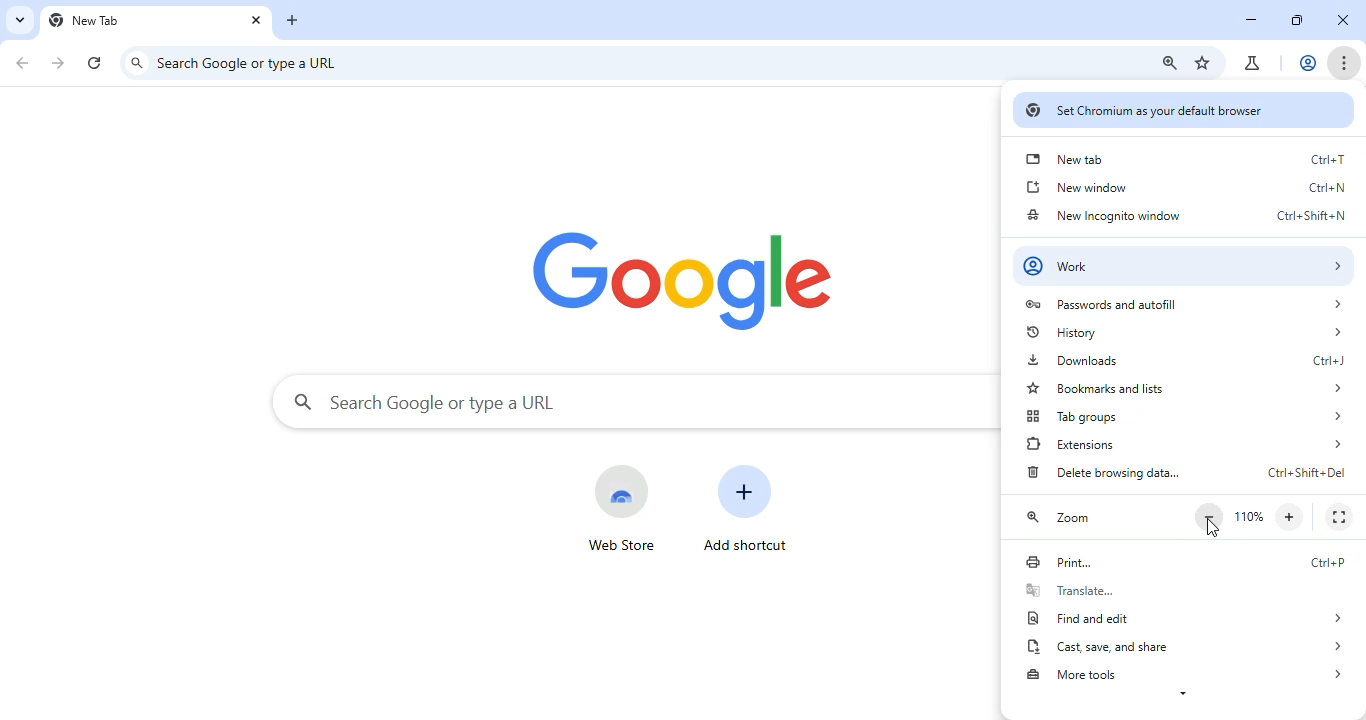 This screenshot has width=1366, height=720. What do you see at coordinates (22, 61) in the screenshot?
I see `go back` at bounding box center [22, 61].